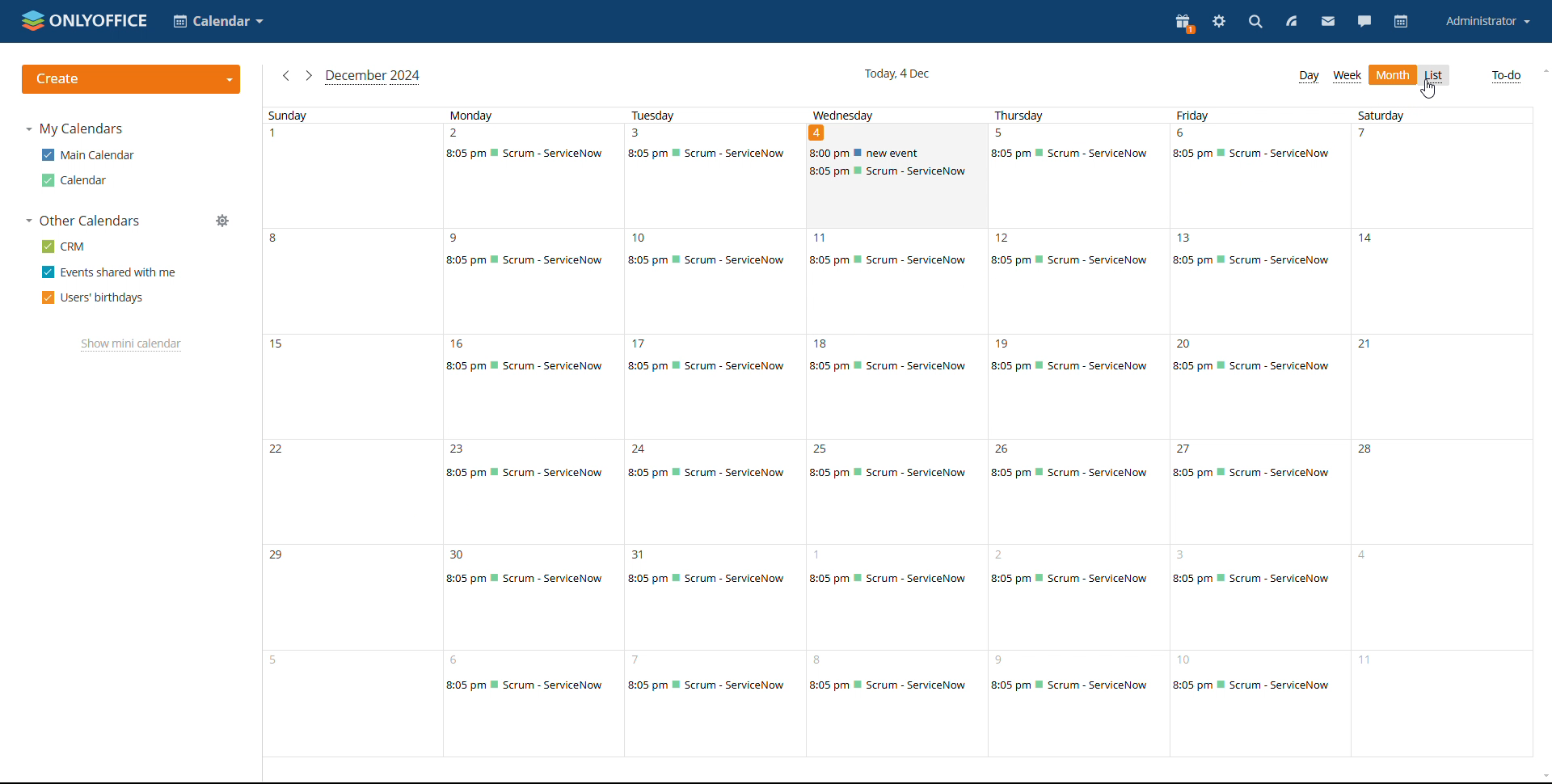 Image resolution: width=1552 pixels, height=784 pixels. What do you see at coordinates (130, 345) in the screenshot?
I see `show mini calendar` at bounding box center [130, 345].